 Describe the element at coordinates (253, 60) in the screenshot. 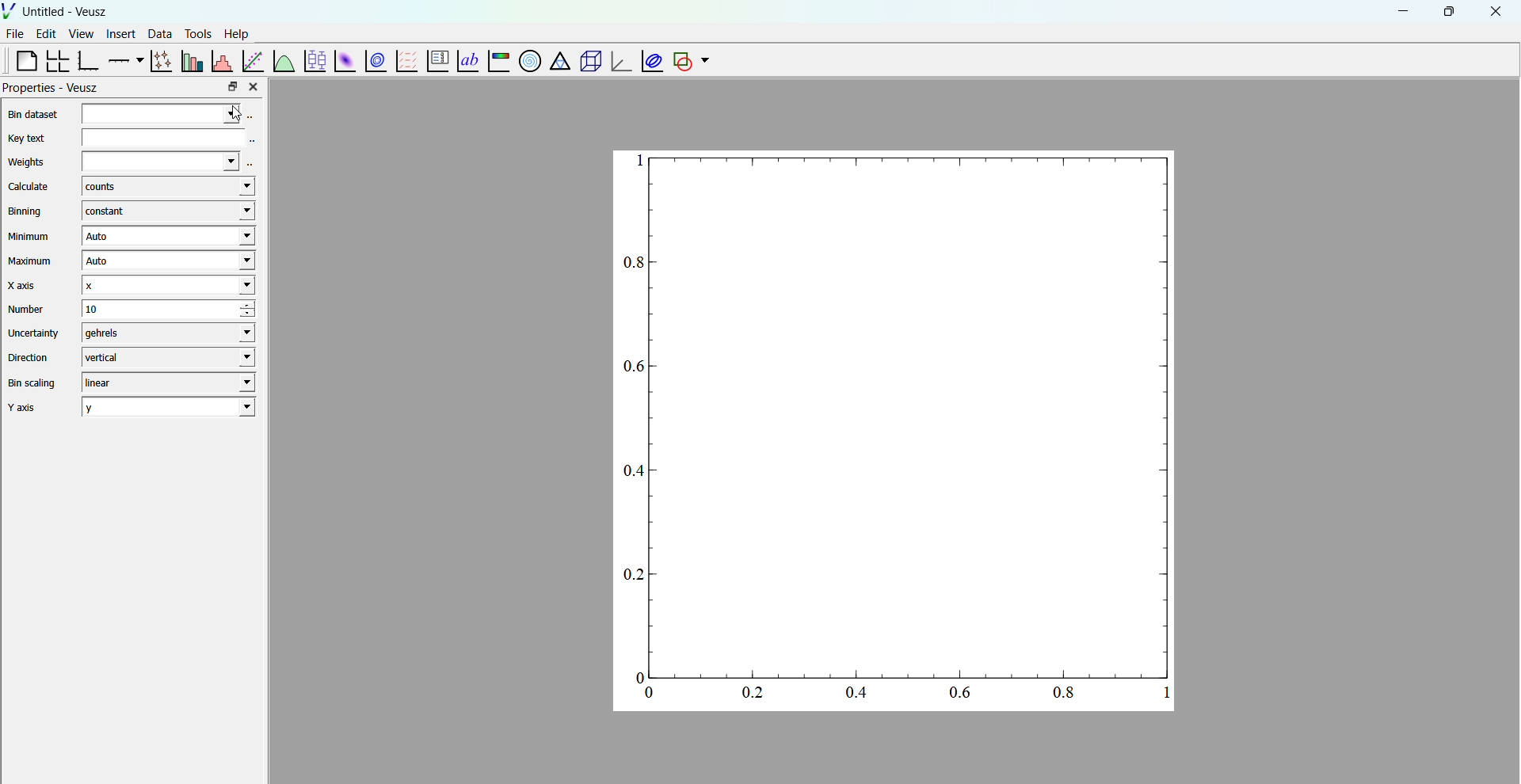

I see `fit a function to a date` at that location.